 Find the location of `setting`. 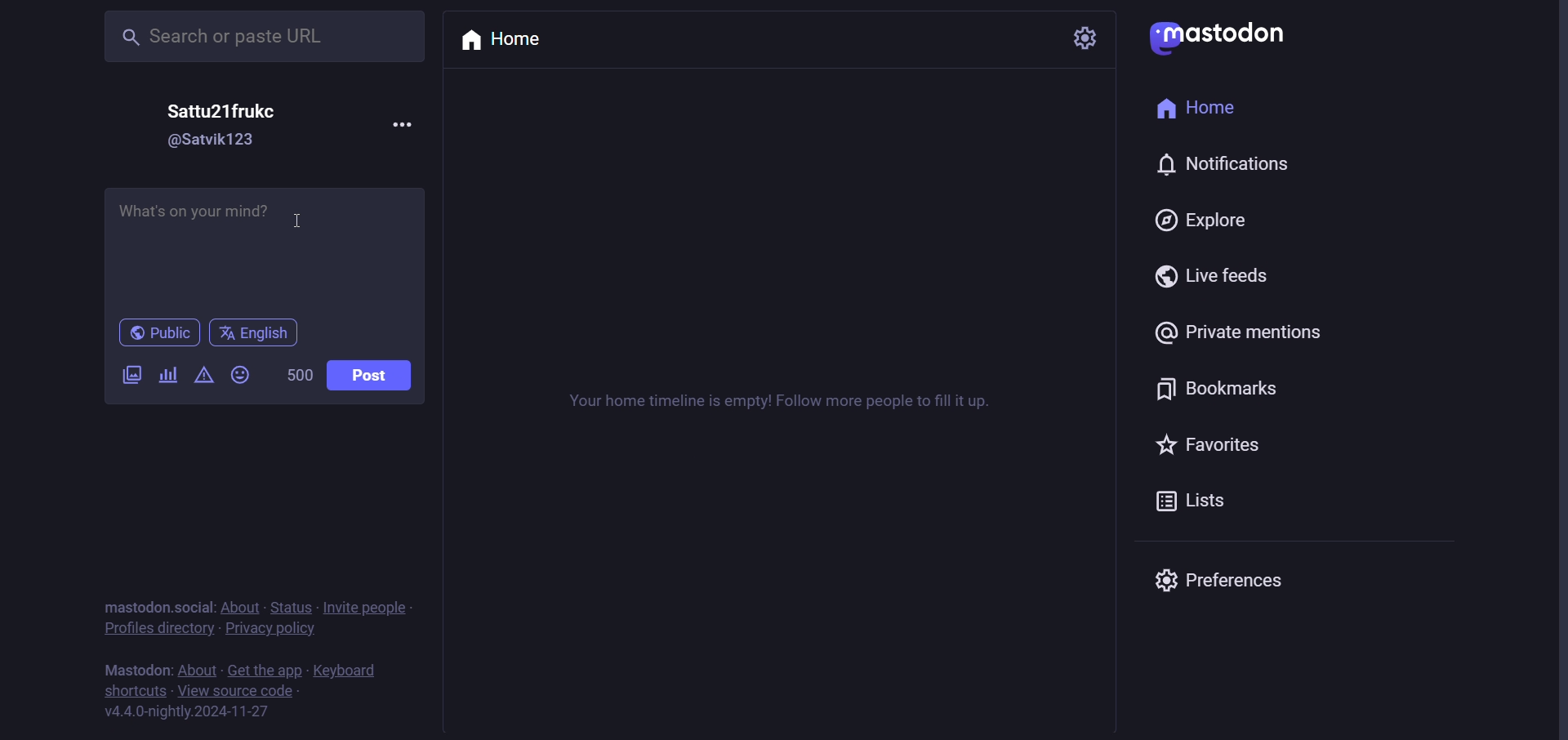

setting is located at coordinates (1085, 38).